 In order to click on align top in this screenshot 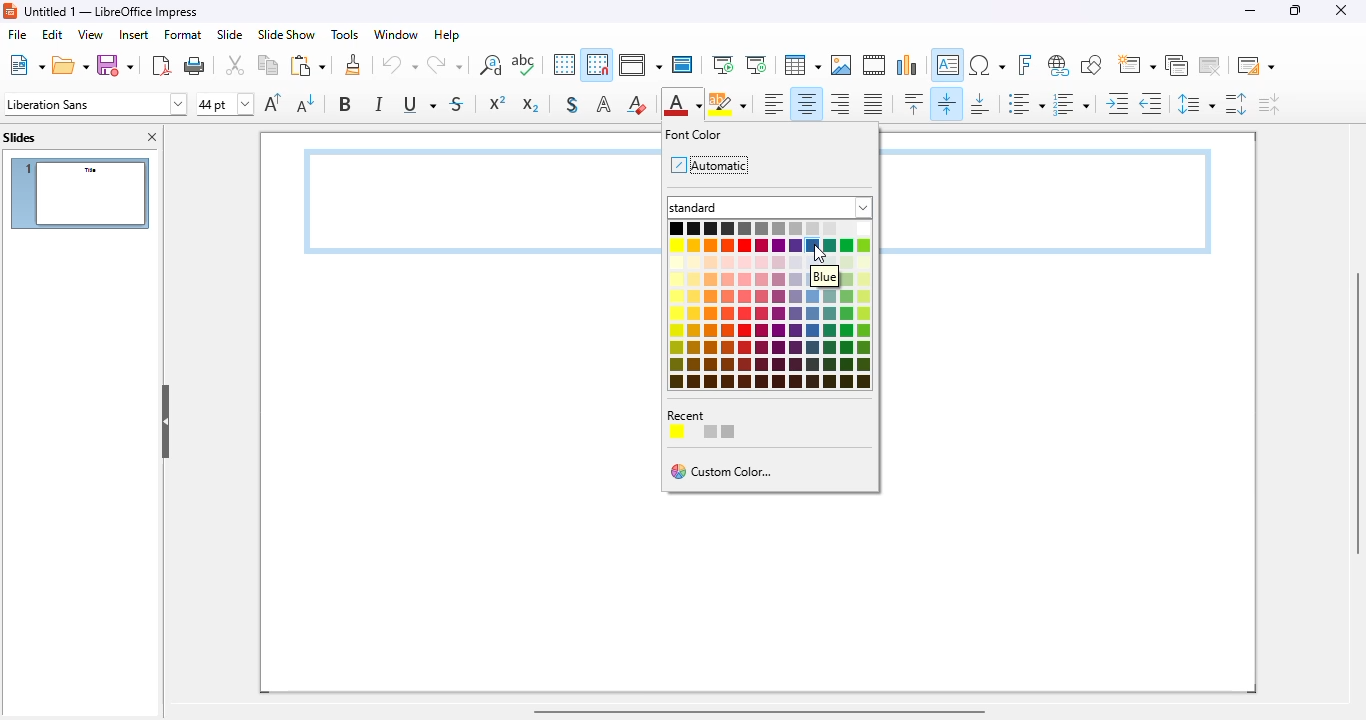, I will do `click(914, 103)`.